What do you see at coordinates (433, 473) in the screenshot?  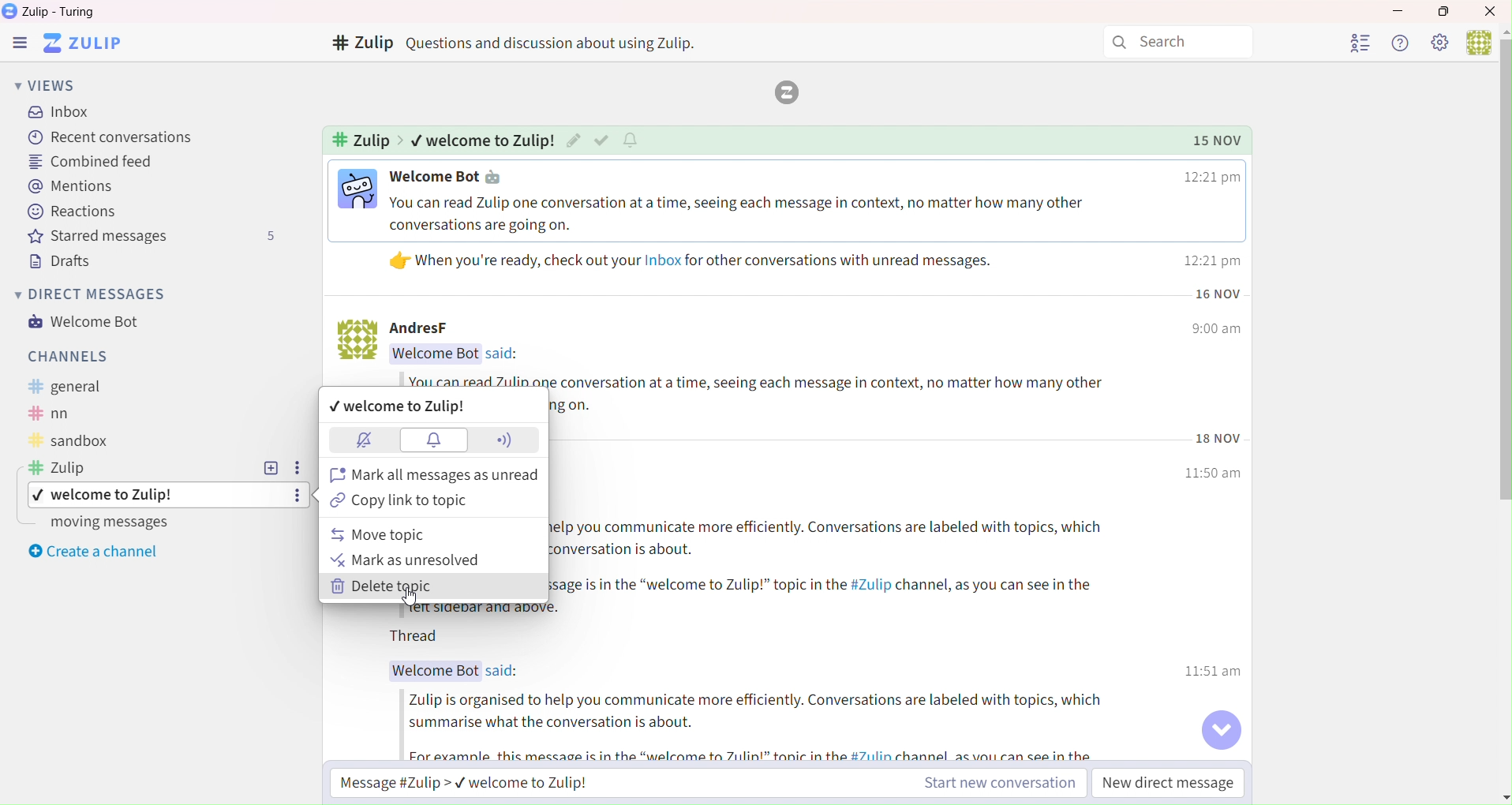 I see `Mark all messages as unread` at bounding box center [433, 473].